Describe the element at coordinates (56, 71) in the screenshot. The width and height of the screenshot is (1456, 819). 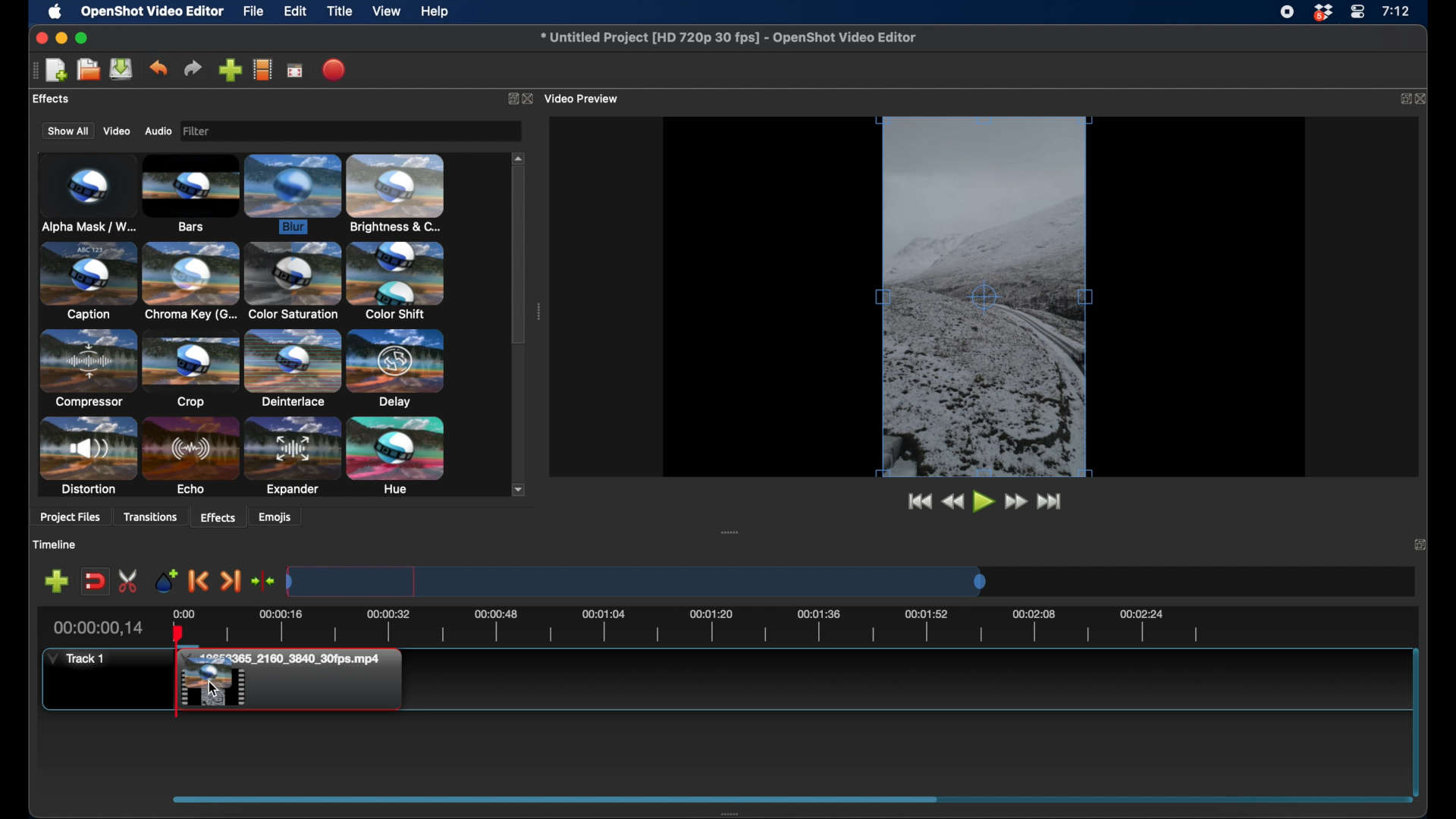
I see `new project` at that location.